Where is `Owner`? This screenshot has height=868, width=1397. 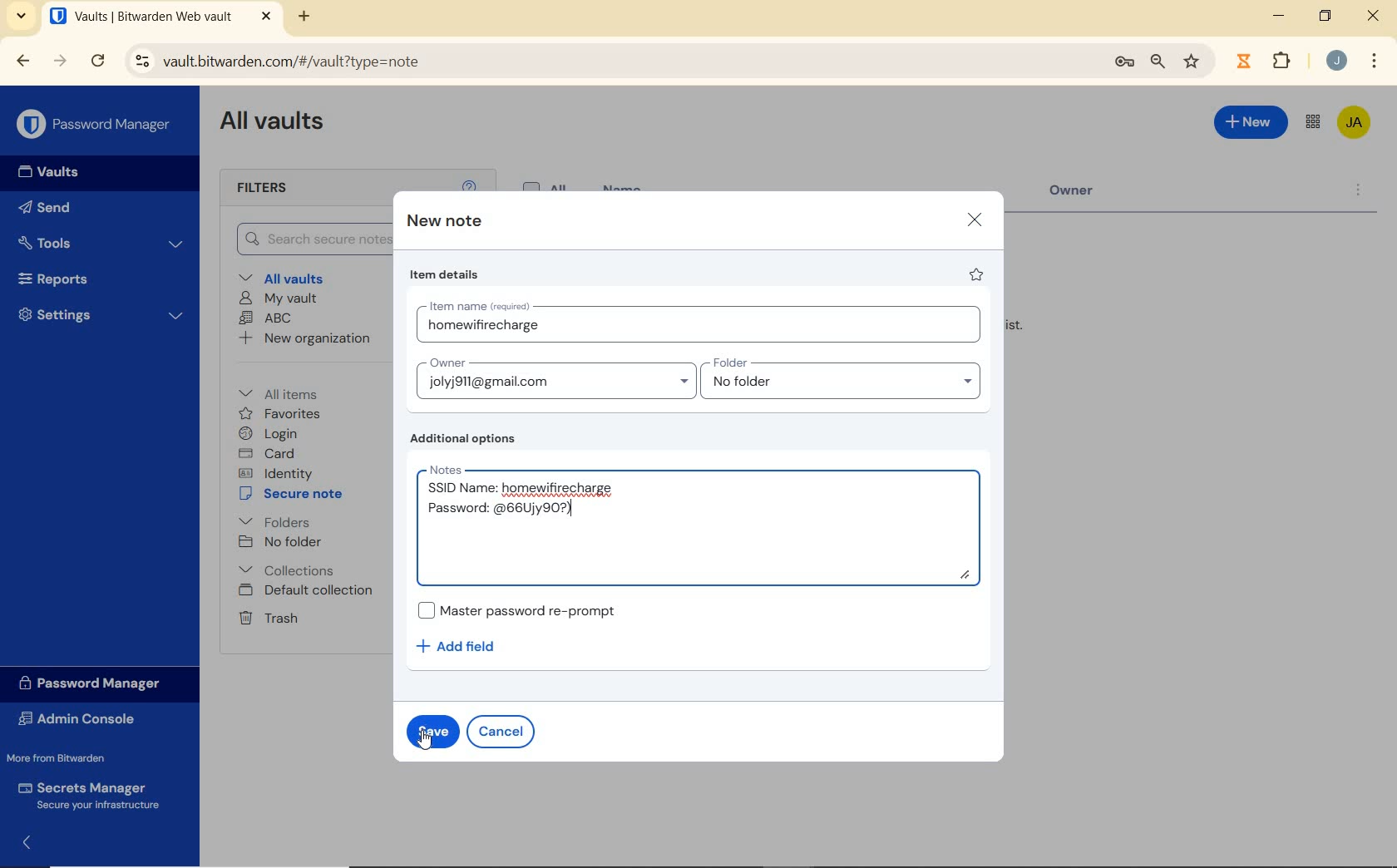 Owner is located at coordinates (1085, 195).